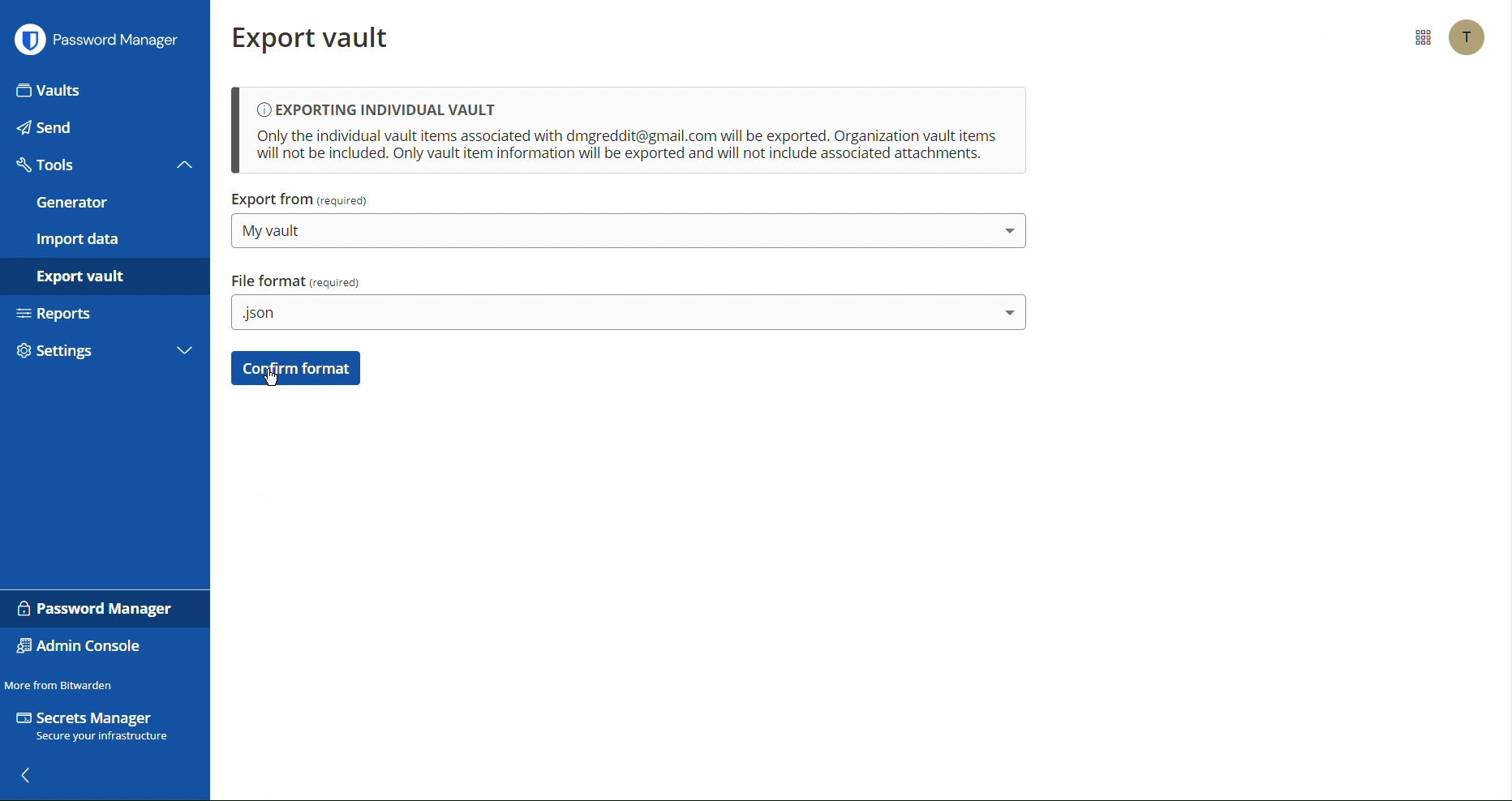 This screenshot has height=801, width=1512. Describe the element at coordinates (1465, 38) in the screenshot. I see `Account` at that location.